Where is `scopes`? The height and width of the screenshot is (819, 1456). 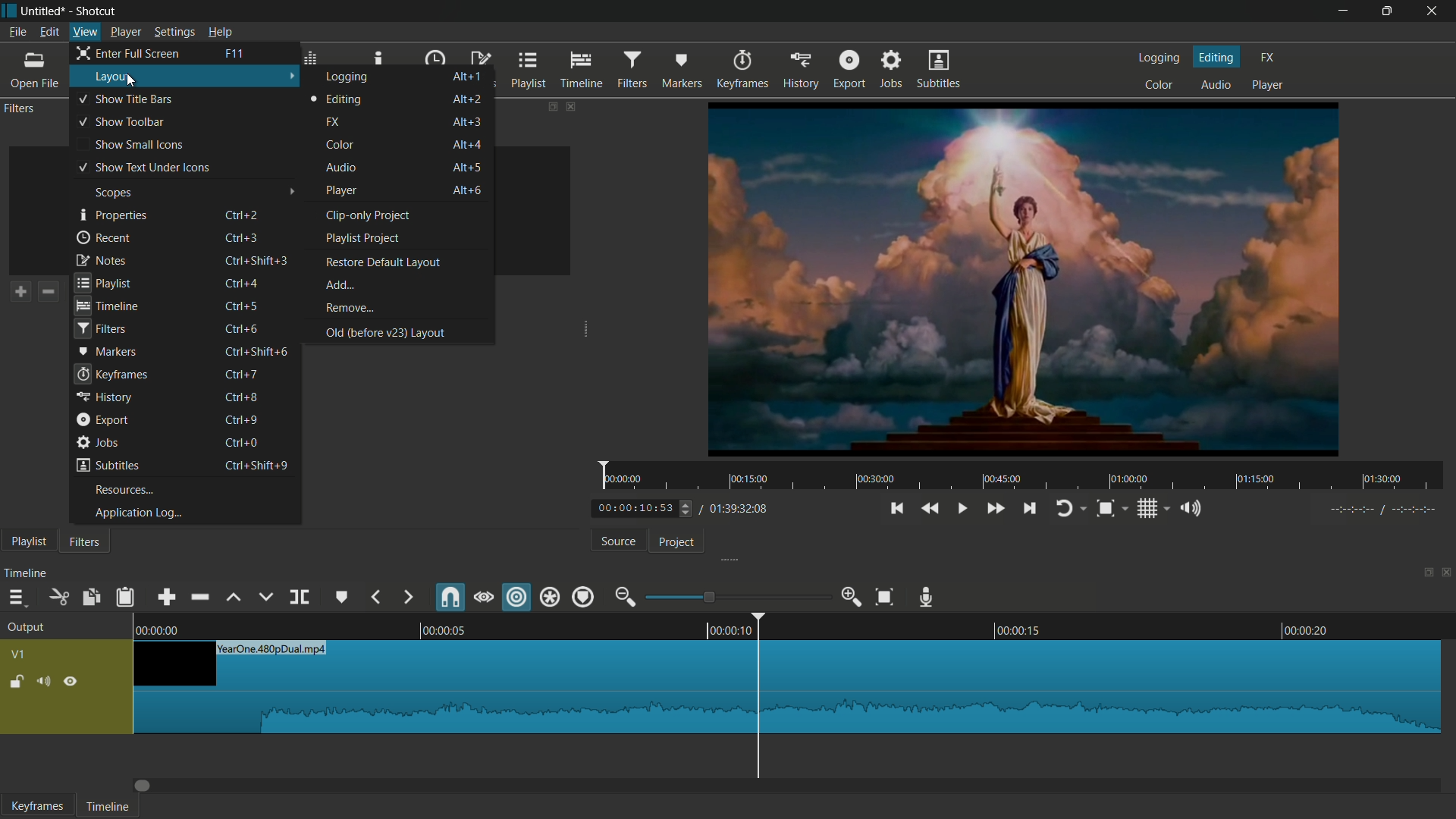 scopes is located at coordinates (113, 193).